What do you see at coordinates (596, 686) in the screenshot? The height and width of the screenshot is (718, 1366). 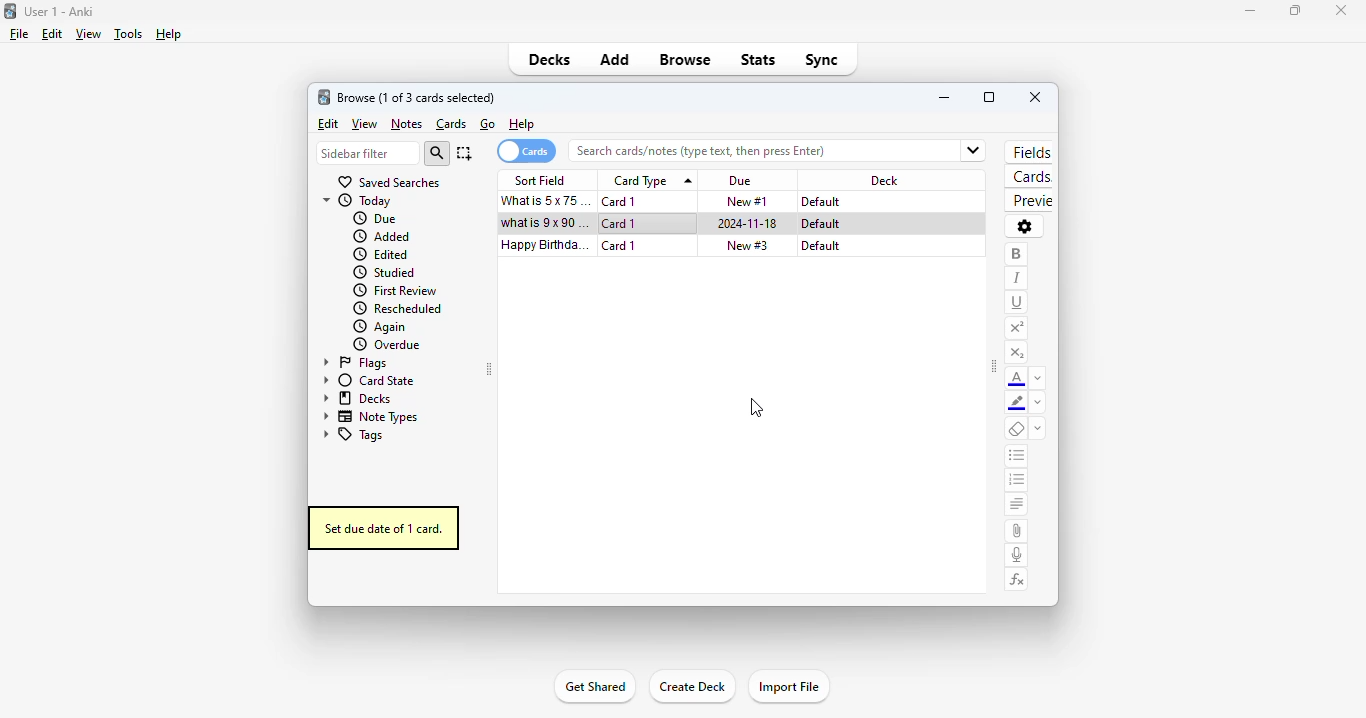 I see `get shared` at bounding box center [596, 686].